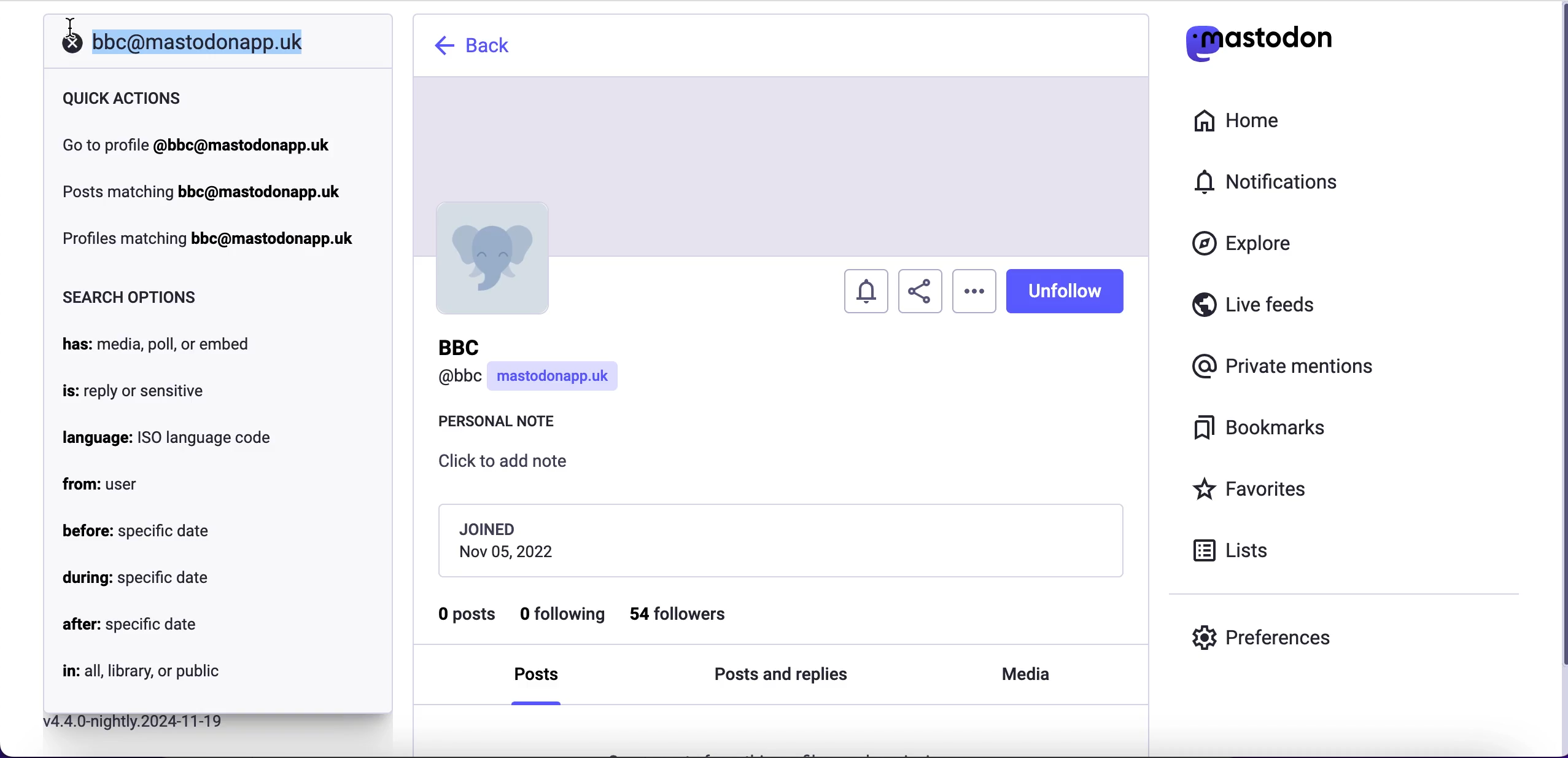  What do you see at coordinates (1234, 121) in the screenshot?
I see `home` at bounding box center [1234, 121].